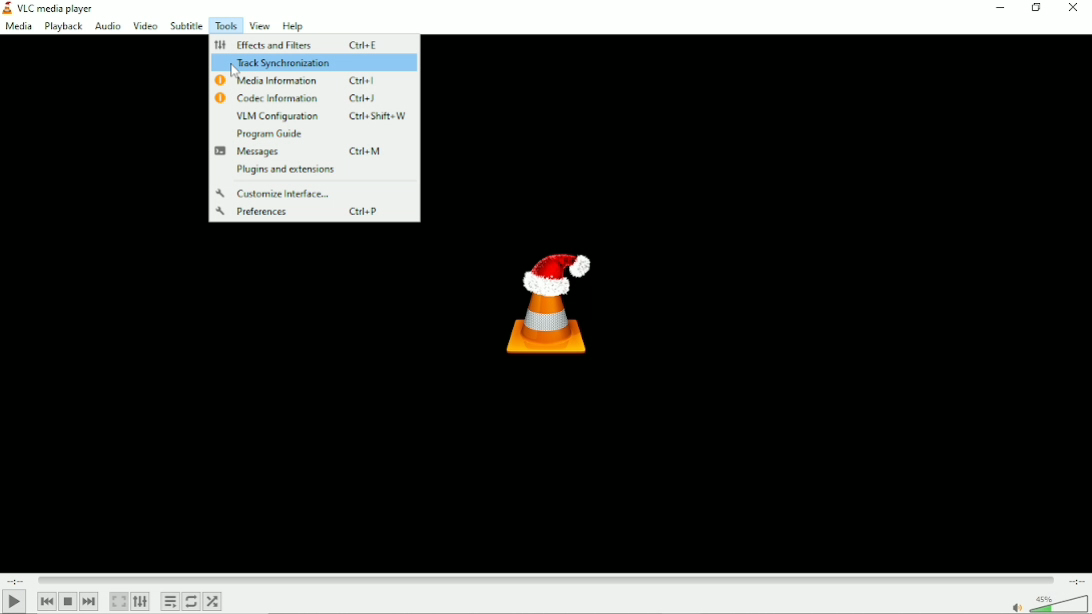 The width and height of the screenshot is (1092, 614). Describe the element at coordinates (1074, 12) in the screenshot. I see `Close` at that location.